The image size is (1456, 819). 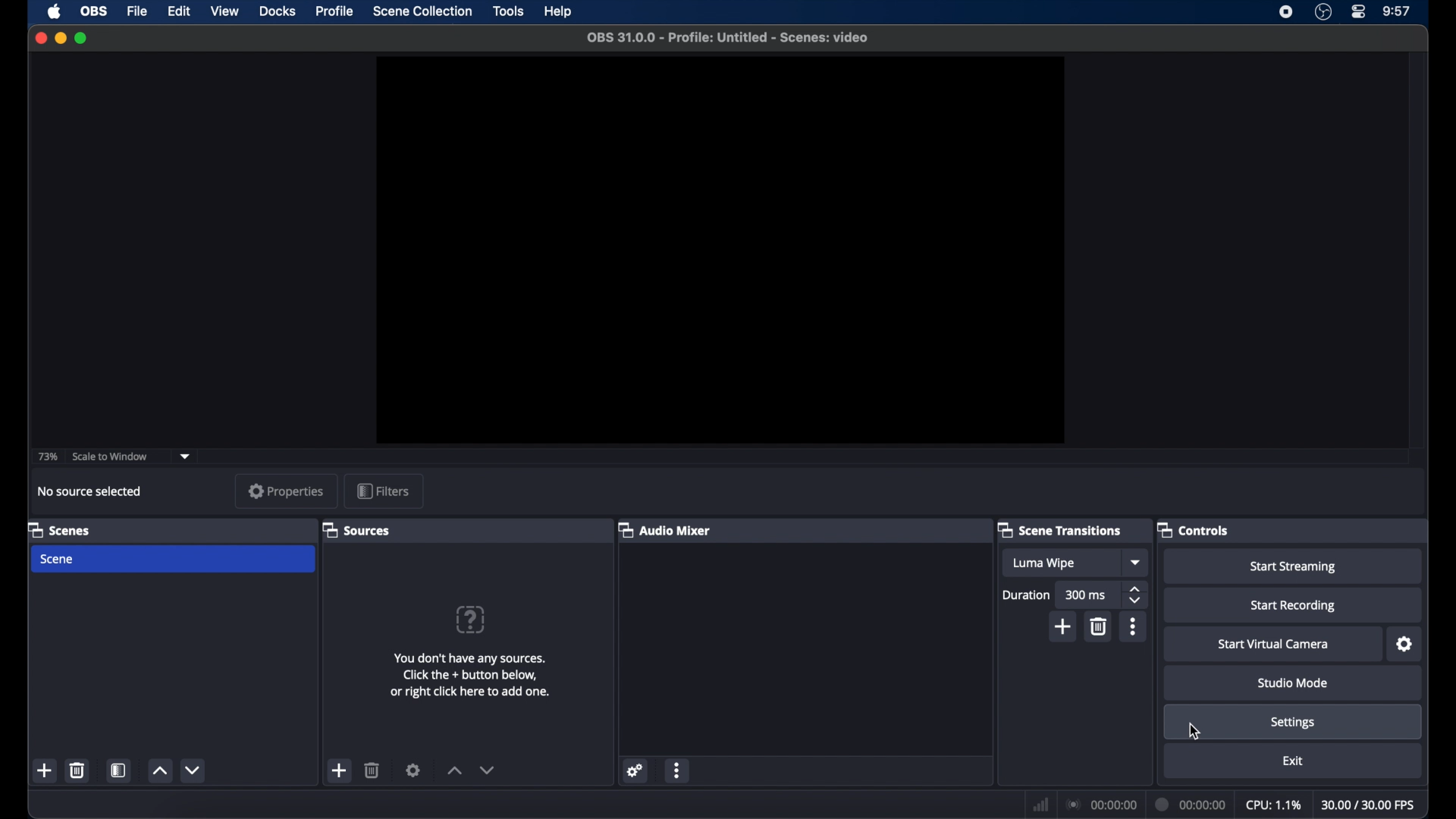 What do you see at coordinates (677, 770) in the screenshot?
I see `more options` at bounding box center [677, 770].